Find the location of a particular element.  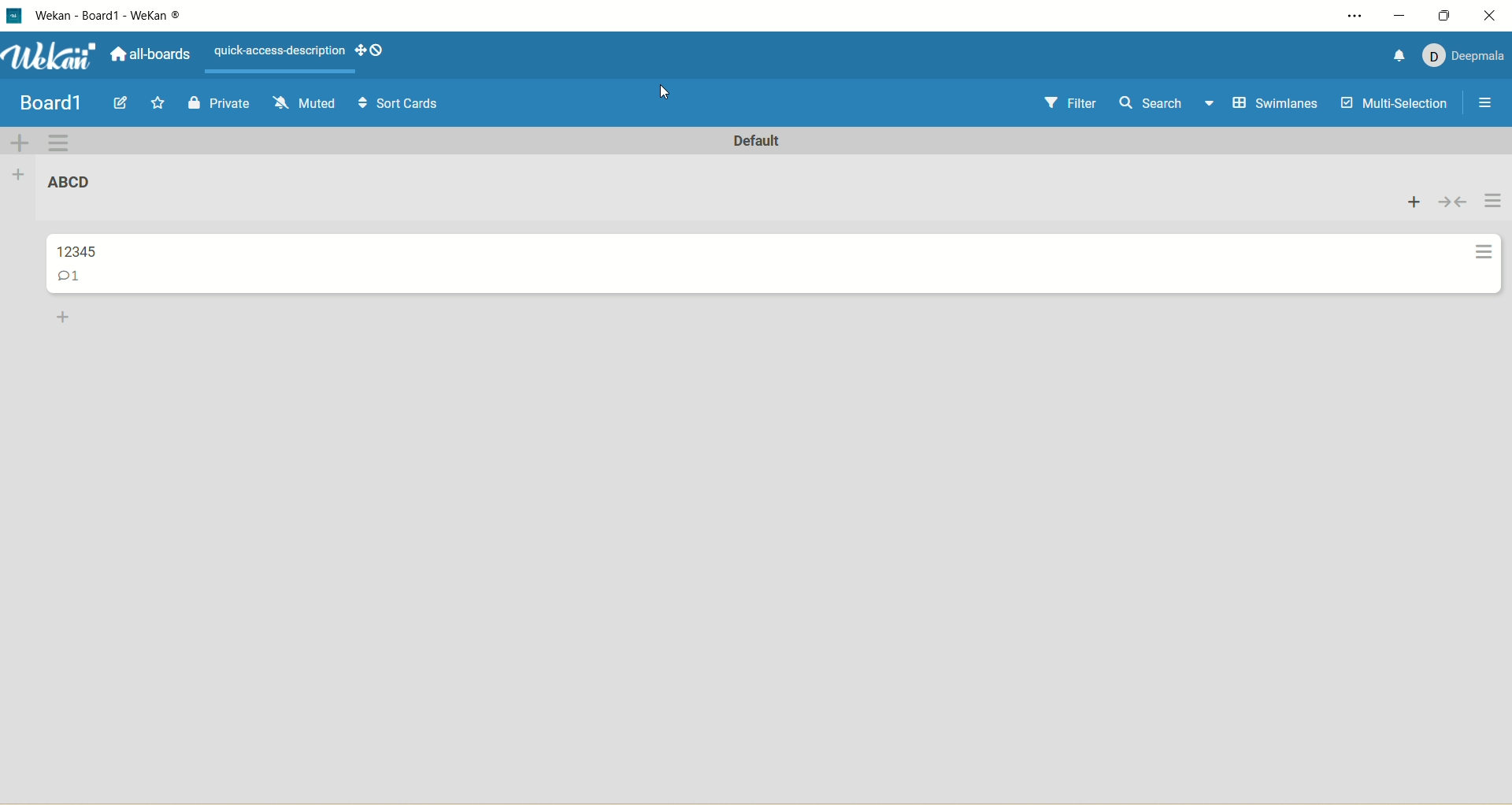

comment is located at coordinates (74, 278).